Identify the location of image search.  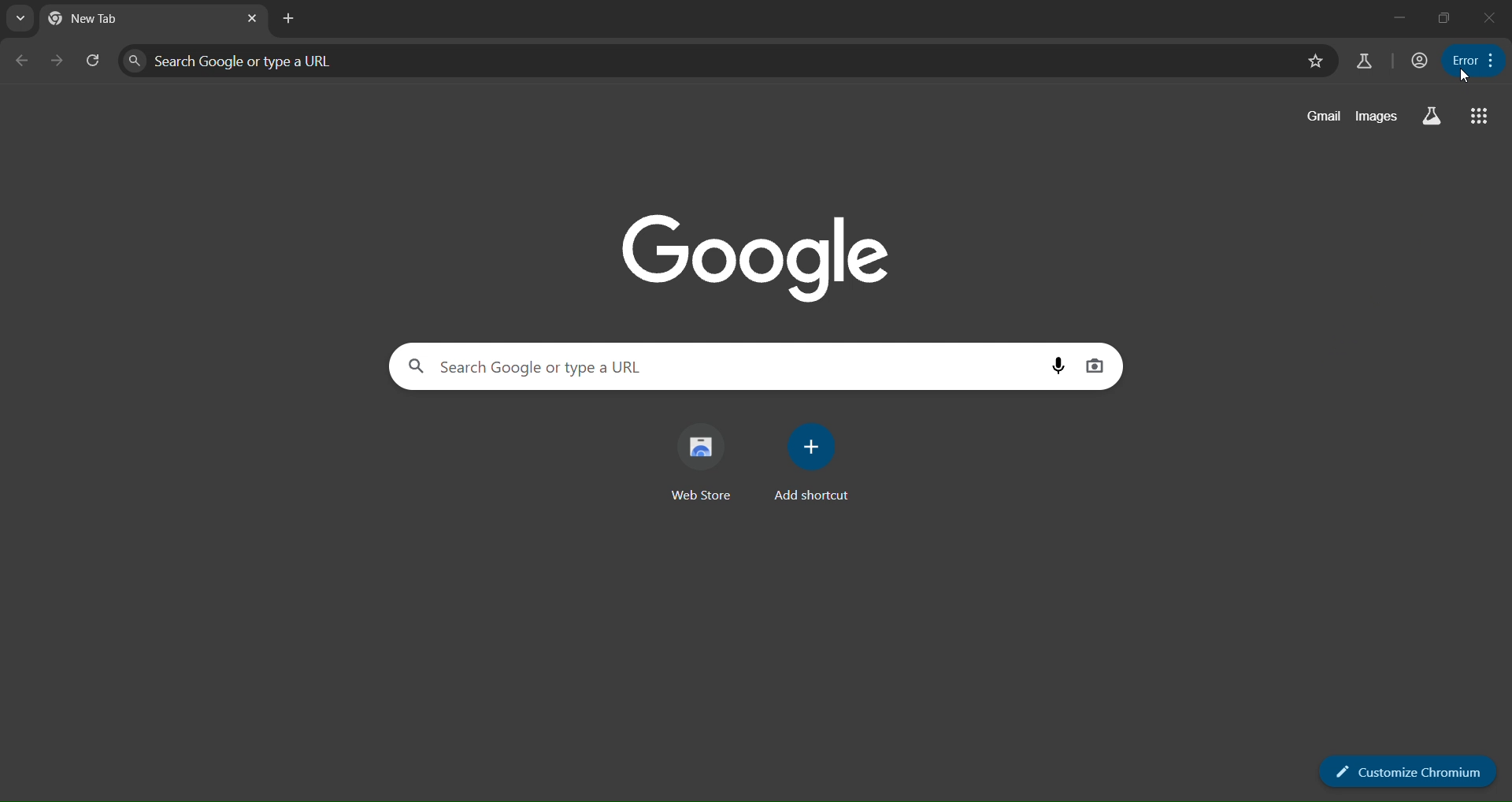
(1098, 366).